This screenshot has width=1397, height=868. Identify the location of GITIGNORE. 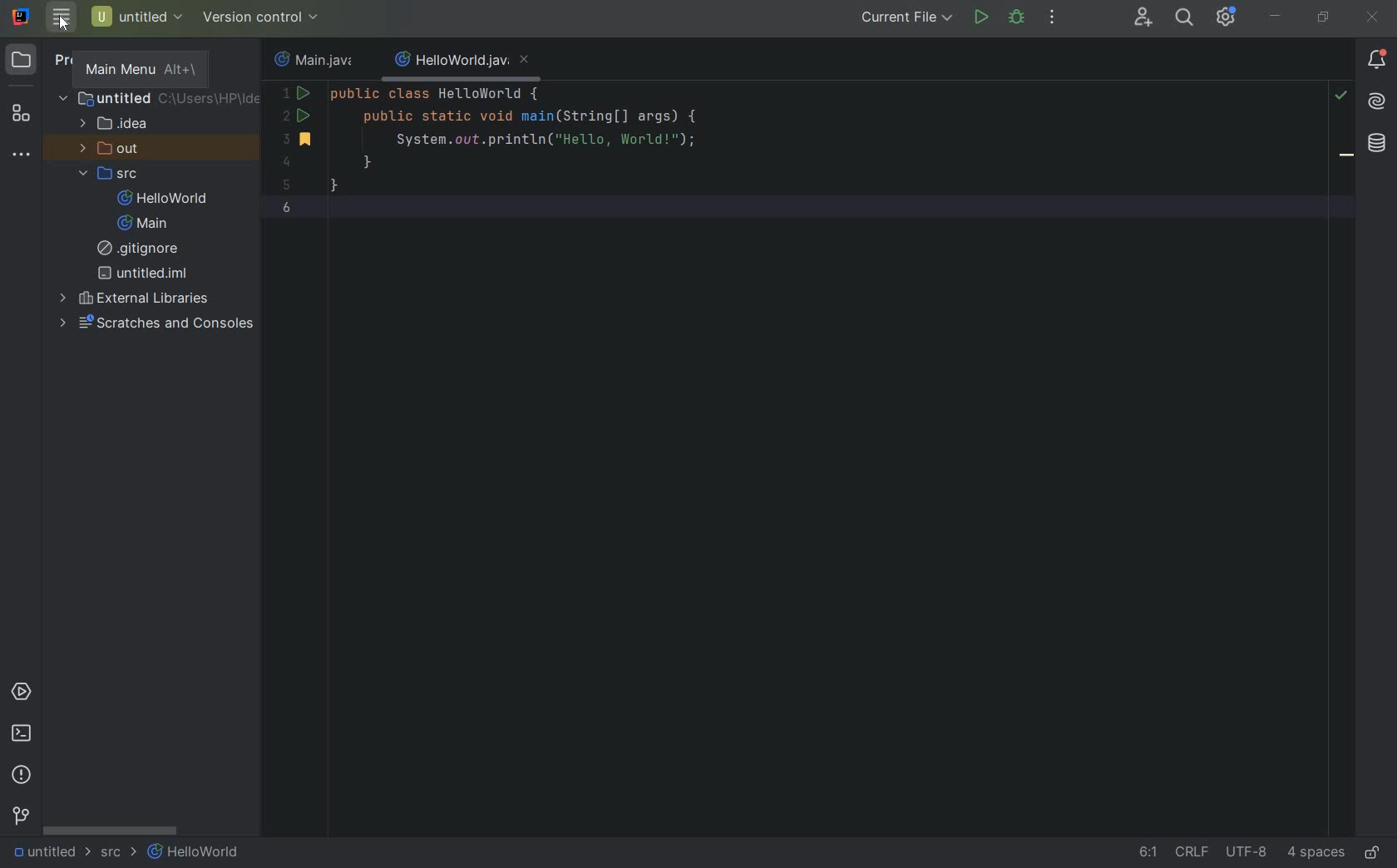
(145, 249).